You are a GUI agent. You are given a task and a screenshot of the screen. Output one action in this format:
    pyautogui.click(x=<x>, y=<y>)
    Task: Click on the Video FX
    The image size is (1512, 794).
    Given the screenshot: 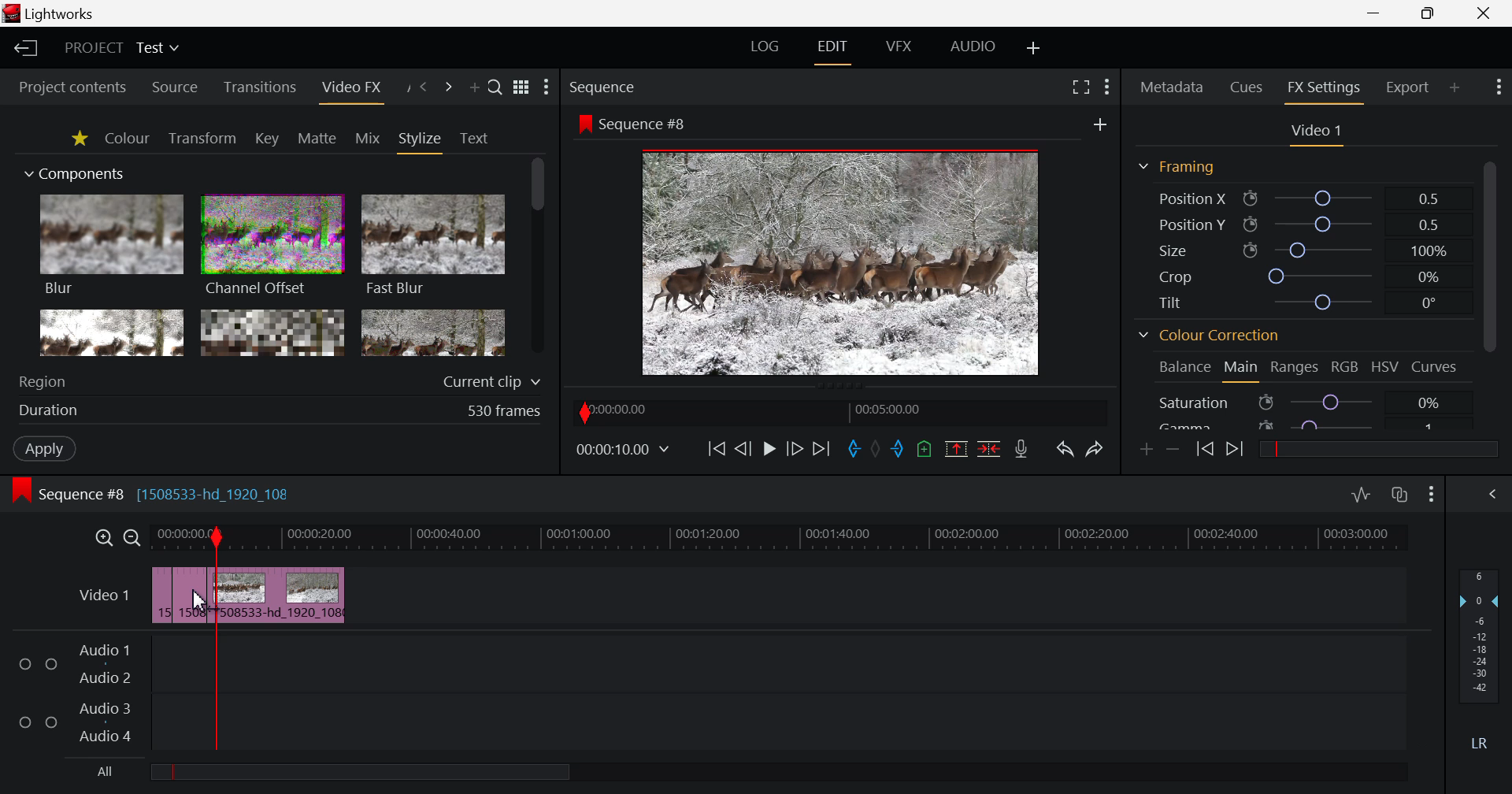 What is the action you would take?
    pyautogui.click(x=350, y=88)
    